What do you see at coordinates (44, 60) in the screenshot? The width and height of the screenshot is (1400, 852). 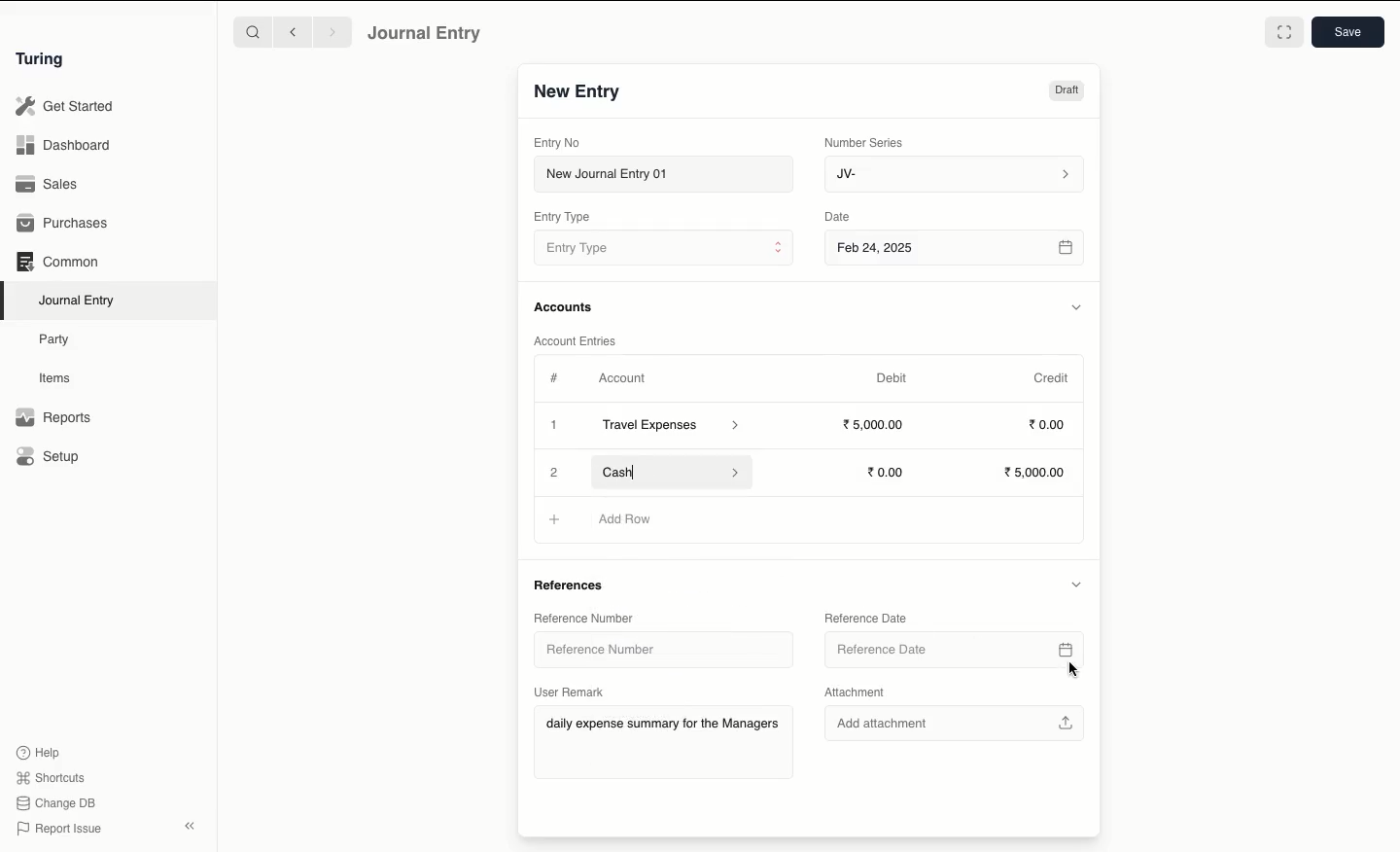 I see `Turing` at bounding box center [44, 60].